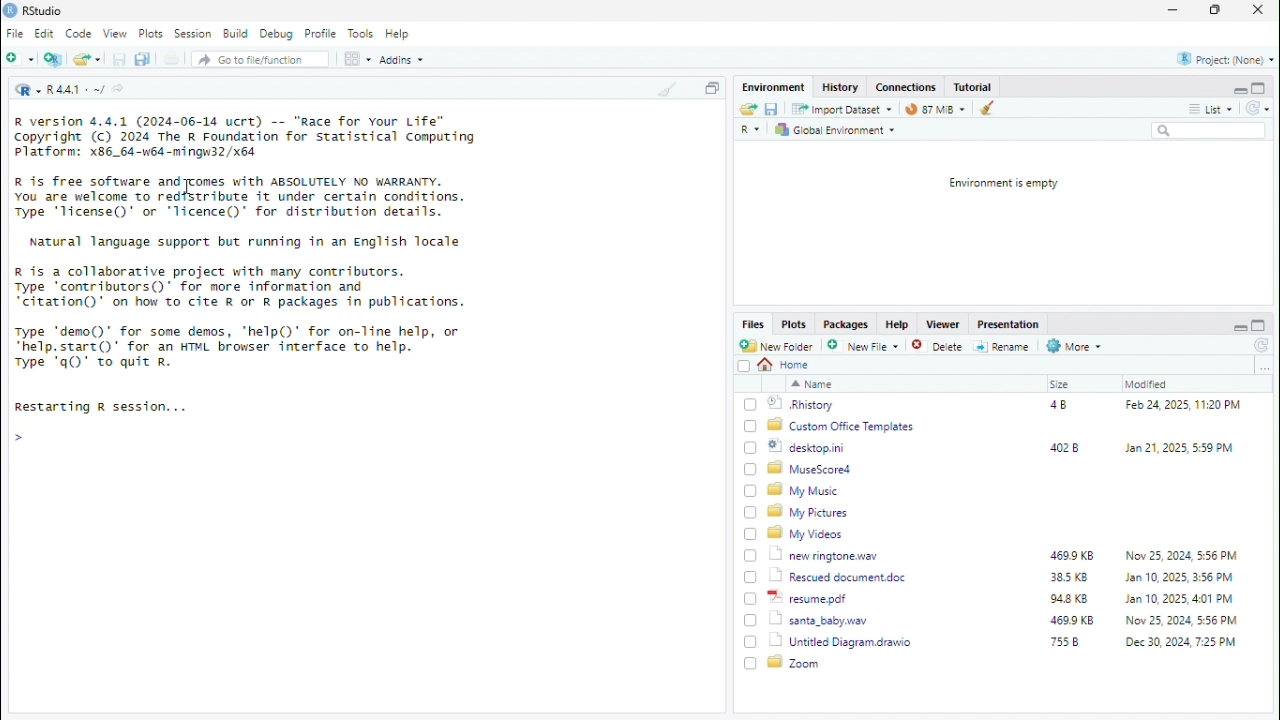 The height and width of the screenshot is (720, 1280). I want to click on Checkbox, so click(751, 642).